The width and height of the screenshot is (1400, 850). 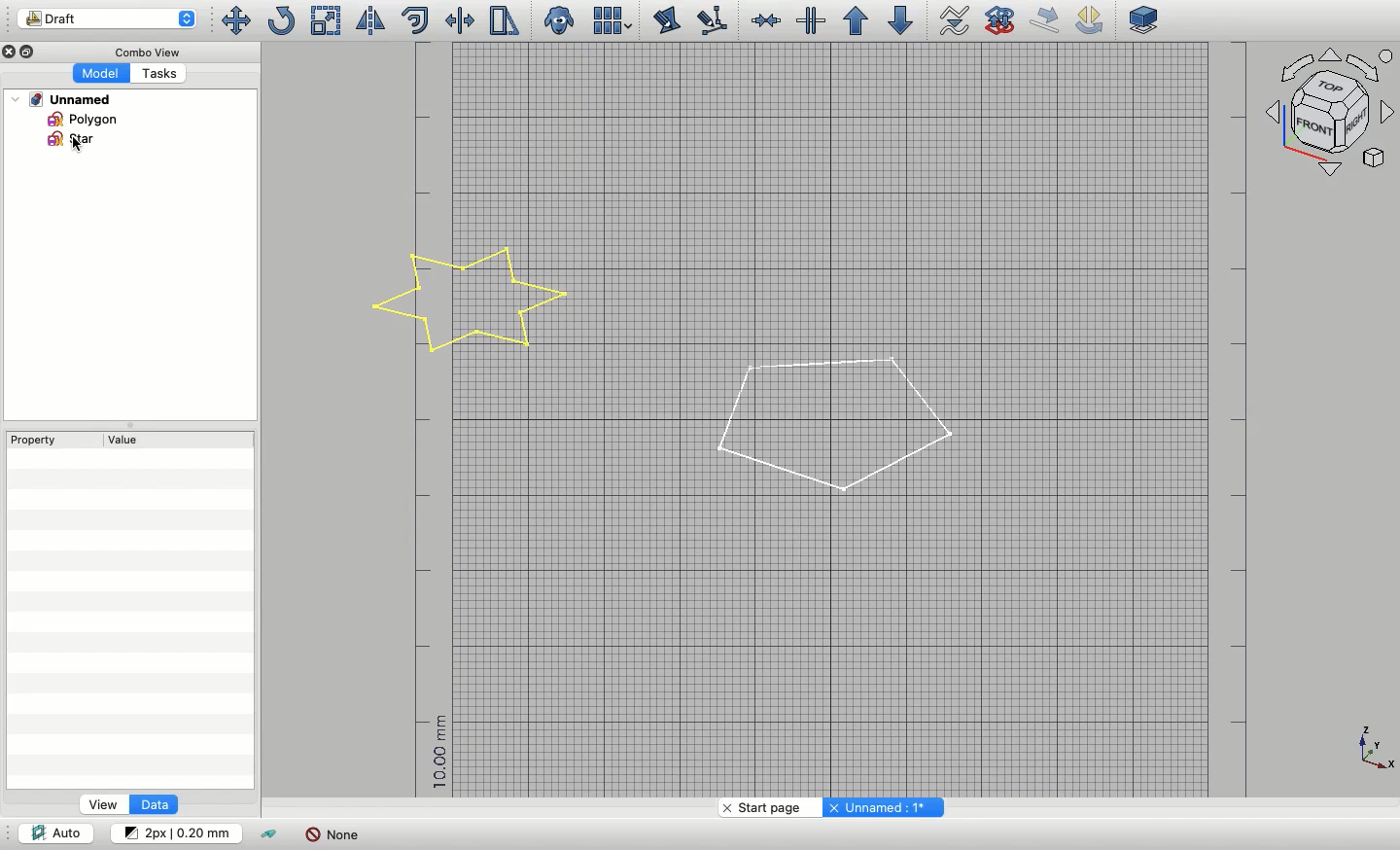 What do you see at coordinates (1376, 749) in the screenshot?
I see `Axis` at bounding box center [1376, 749].